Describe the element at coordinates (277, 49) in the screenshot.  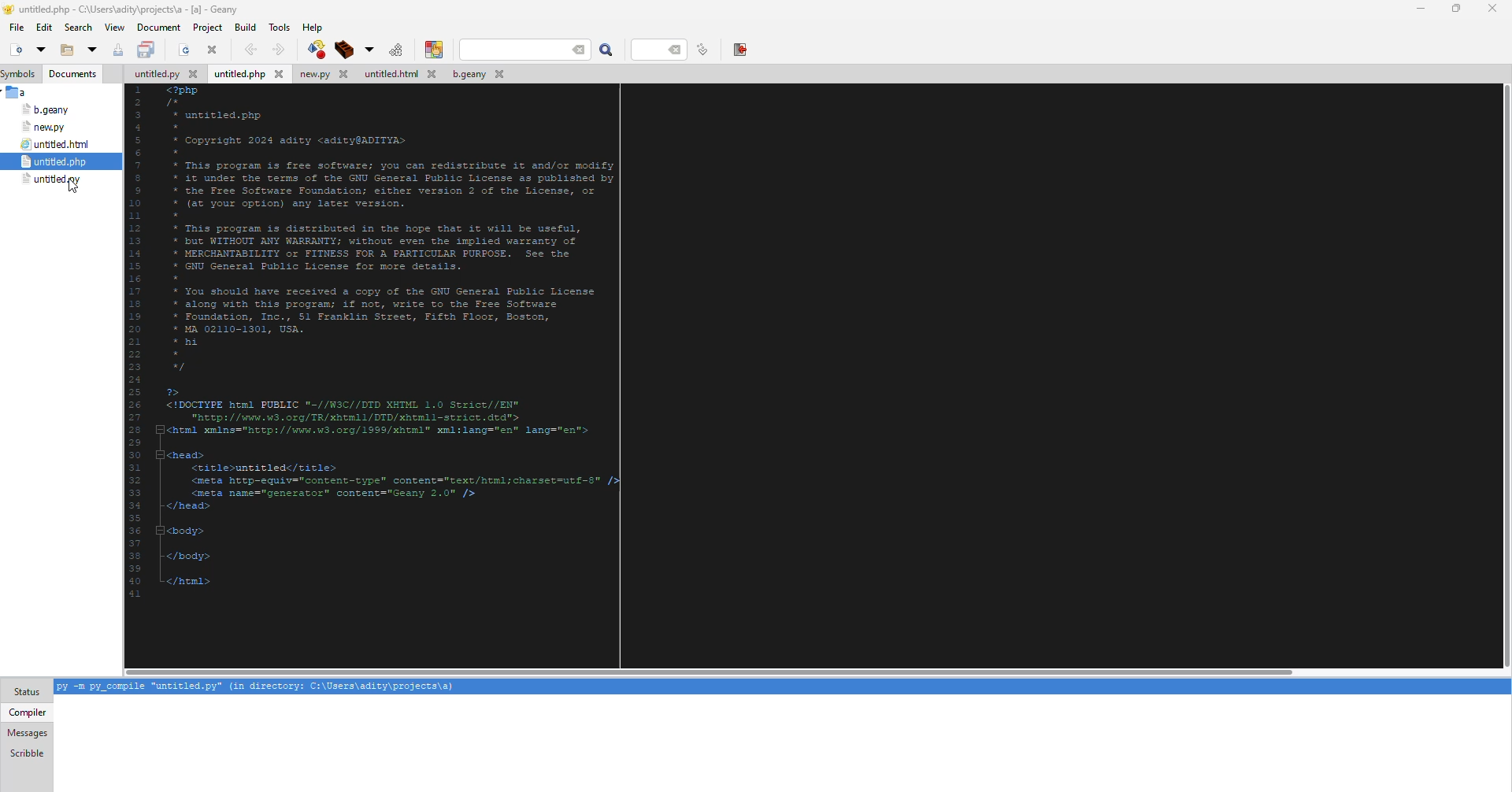
I see `forward` at that location.